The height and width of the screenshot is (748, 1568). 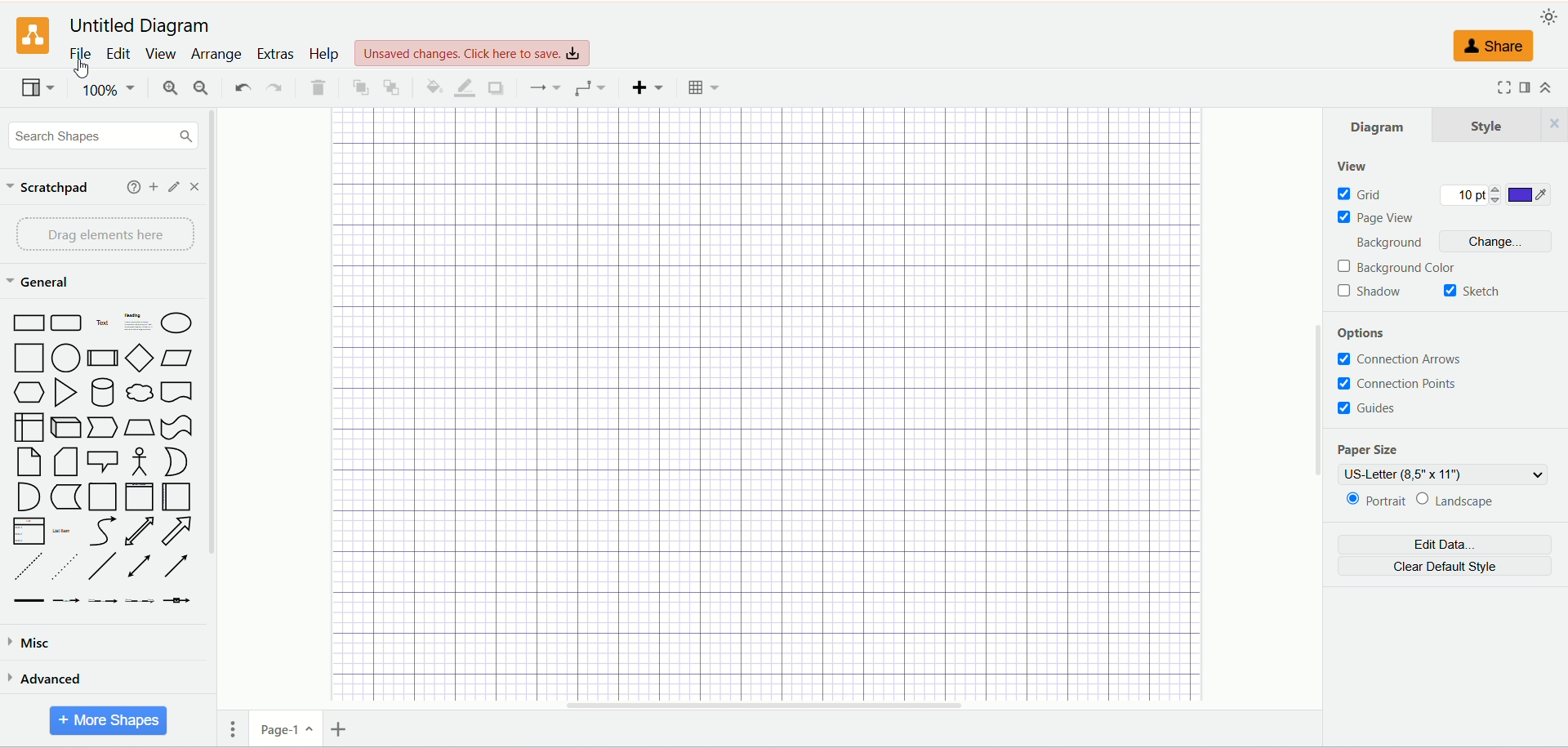 What do you see at coordinates (1399, 268) in the screenshot?
I see `background color` at bounding box center [1399, 268].